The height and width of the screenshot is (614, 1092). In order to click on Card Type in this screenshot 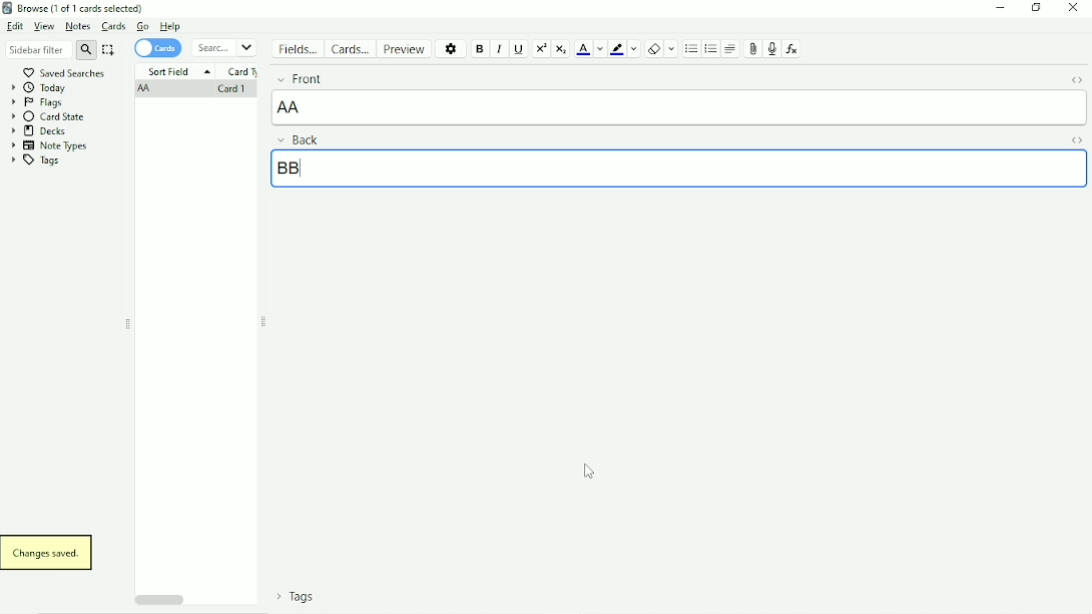, I will do `click(243, 72)`.